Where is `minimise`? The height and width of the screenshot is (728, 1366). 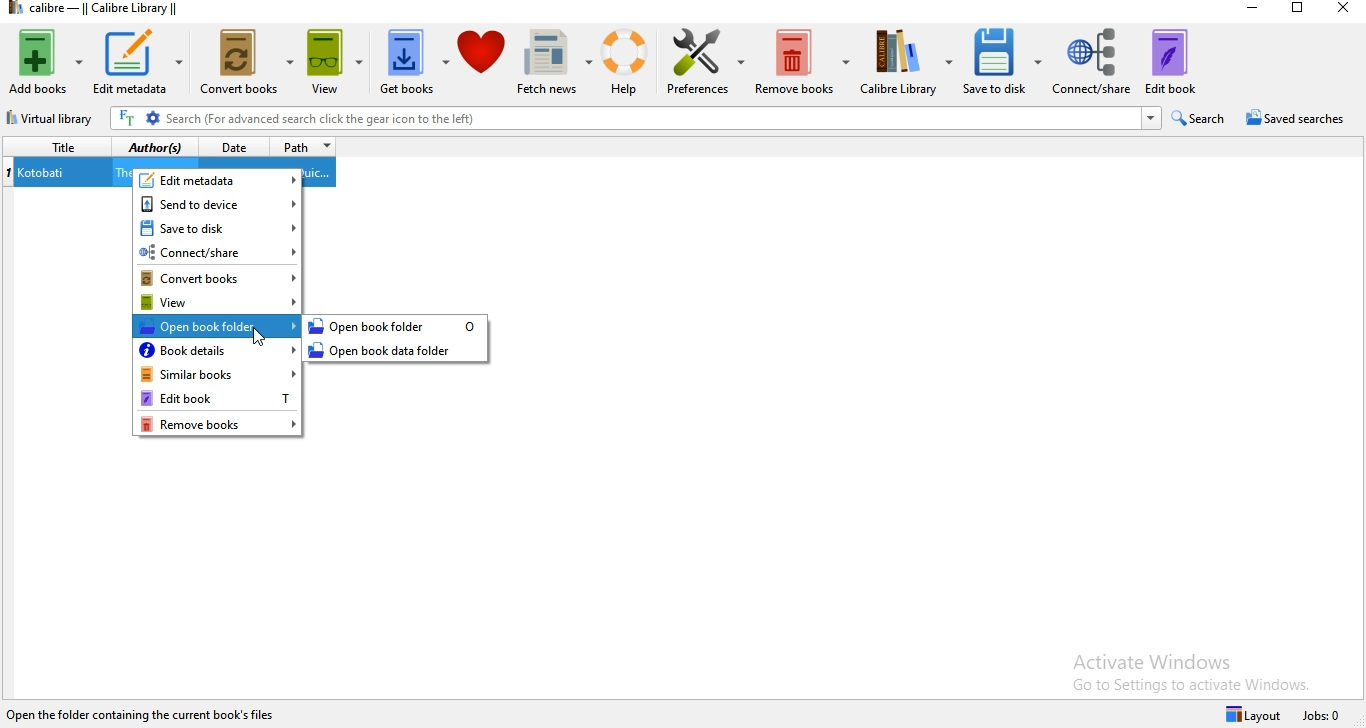
minimise is located at coordinates (1254, 8).